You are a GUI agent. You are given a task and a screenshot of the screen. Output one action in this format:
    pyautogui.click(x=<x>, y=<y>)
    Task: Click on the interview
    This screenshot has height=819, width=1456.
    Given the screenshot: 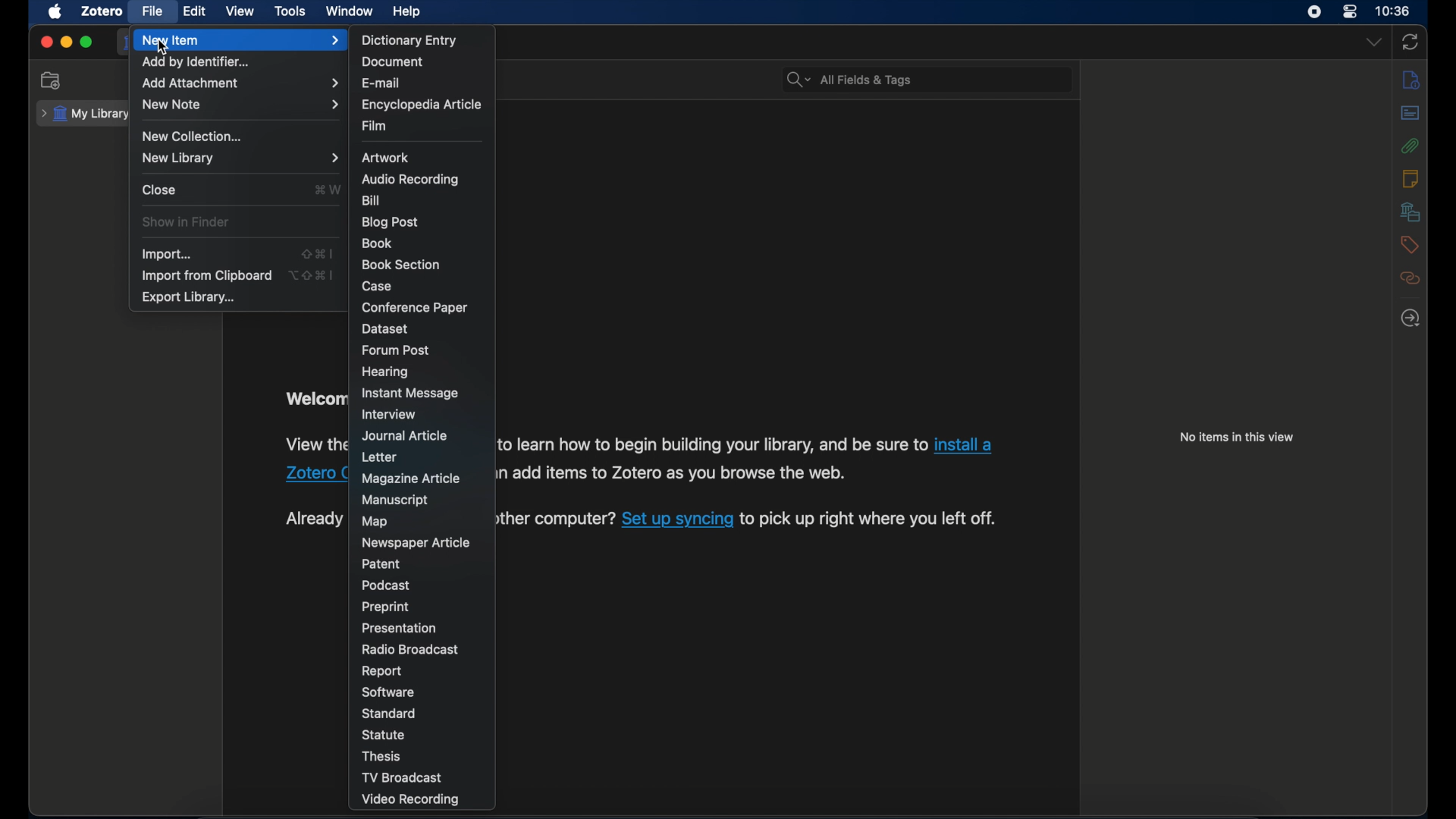 What is the action you would take?
    pyautogui.click(x=390, y=414)
    